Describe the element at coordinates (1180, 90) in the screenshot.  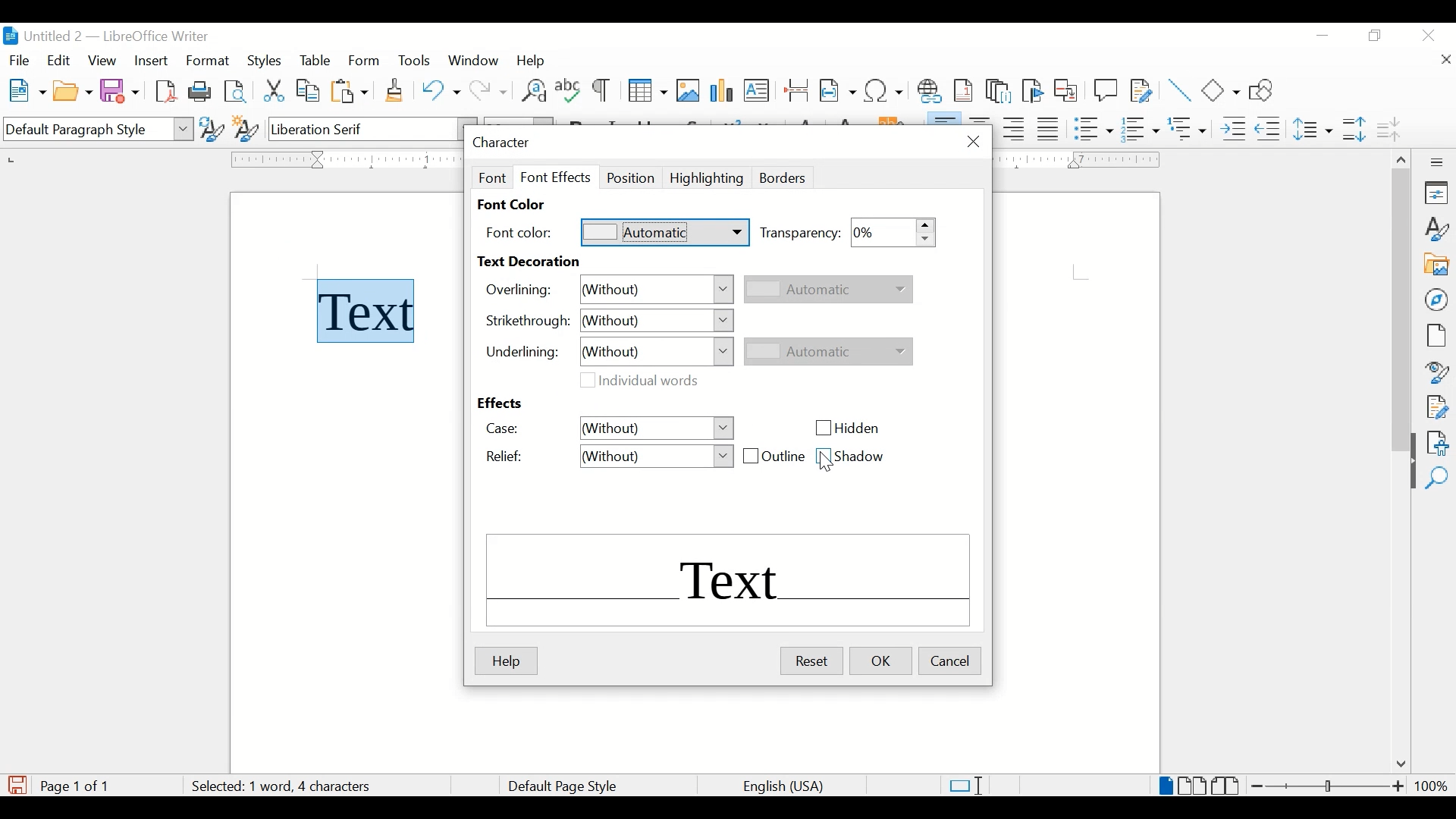
I see `insert line` at that location.